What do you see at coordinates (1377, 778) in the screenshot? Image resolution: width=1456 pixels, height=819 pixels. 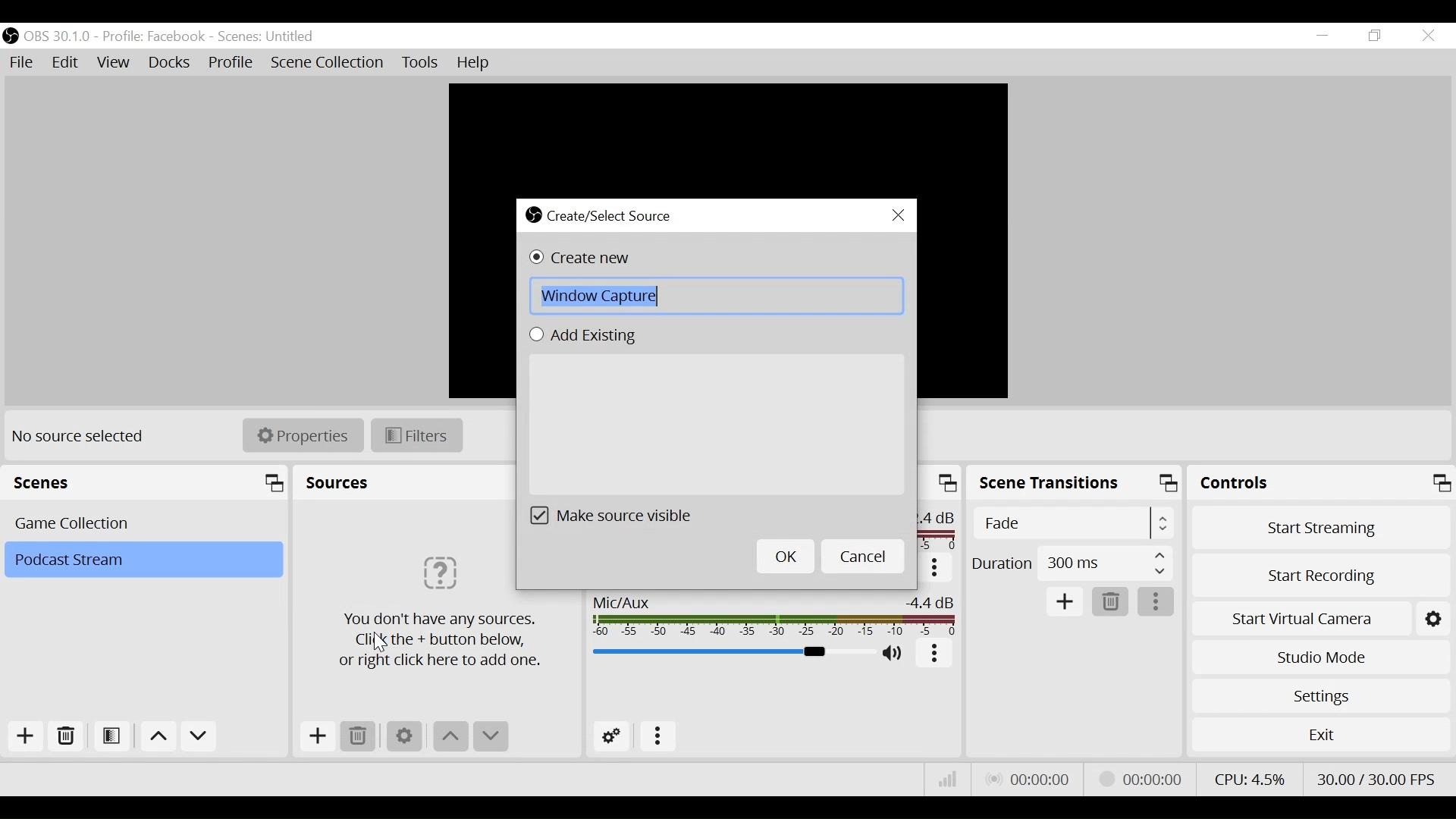 I see `Frame Per Second` at bounding box center [1377, 778].